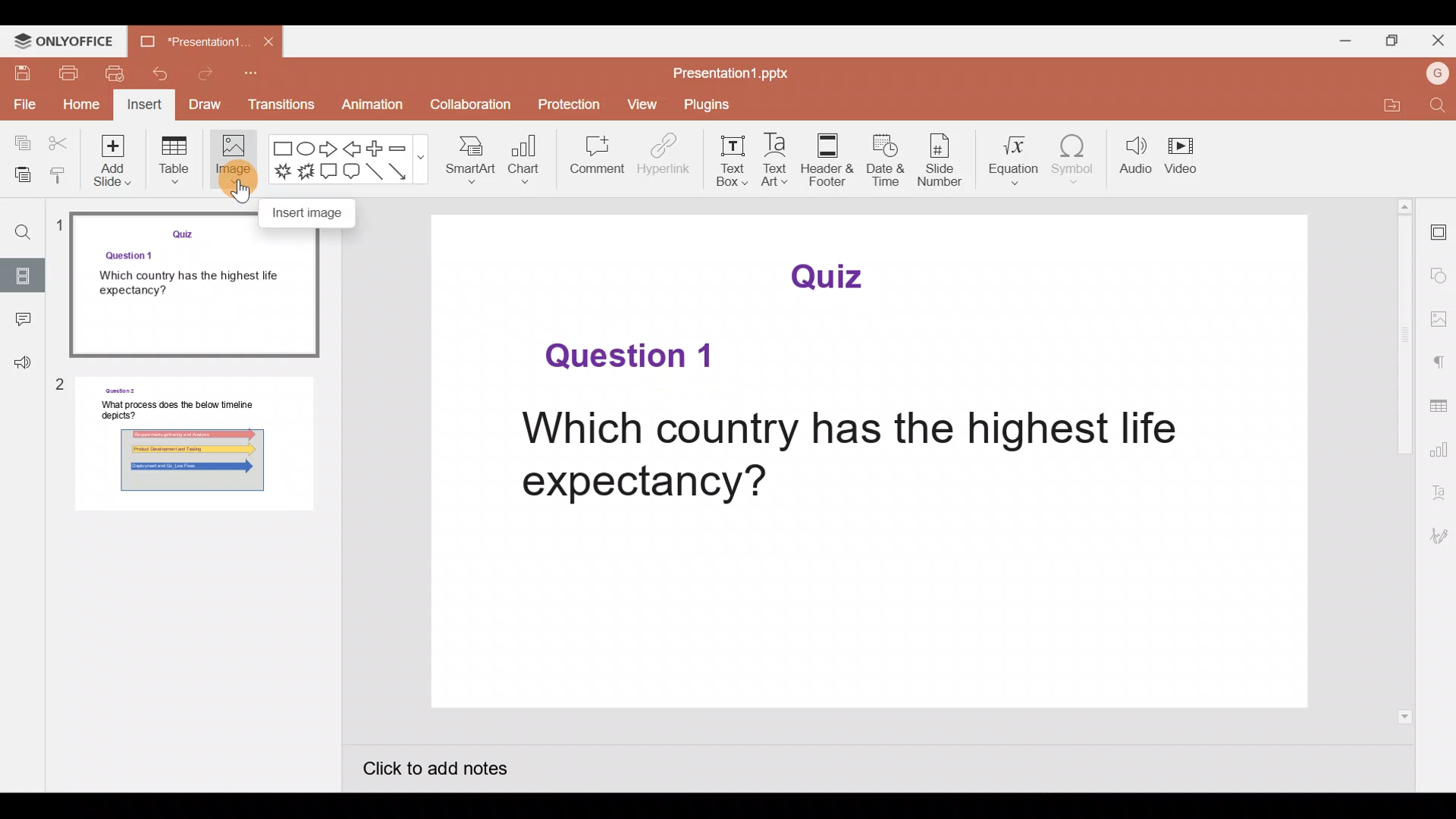 The image size is (1456, 819). What do you see at coordinates (24, 275) in the screenshot?
I see `Slides` at bounding box center [24, 275].